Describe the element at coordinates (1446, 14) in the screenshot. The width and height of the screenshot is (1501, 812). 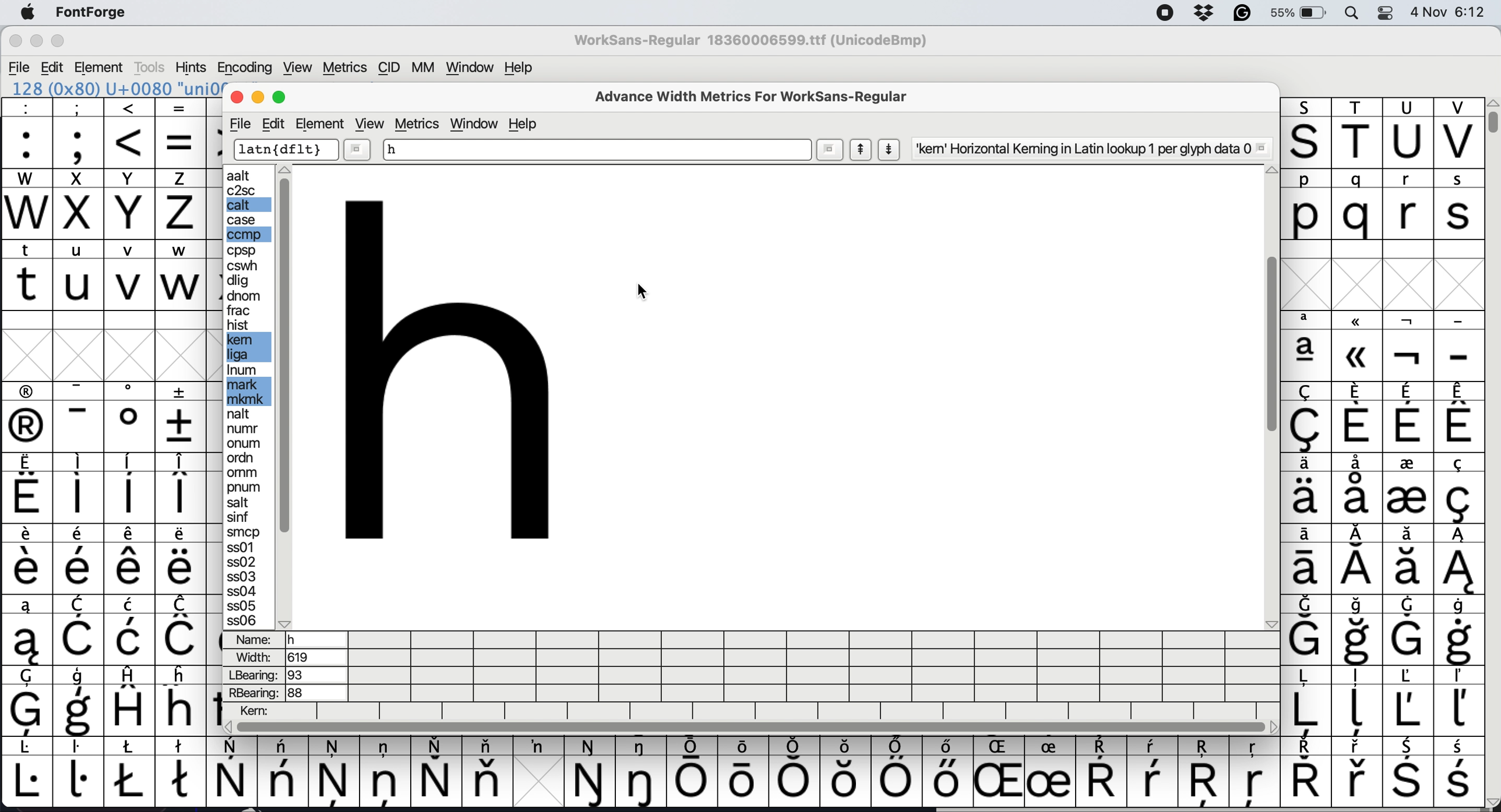
I see `4 Nov 6:12` at that location.